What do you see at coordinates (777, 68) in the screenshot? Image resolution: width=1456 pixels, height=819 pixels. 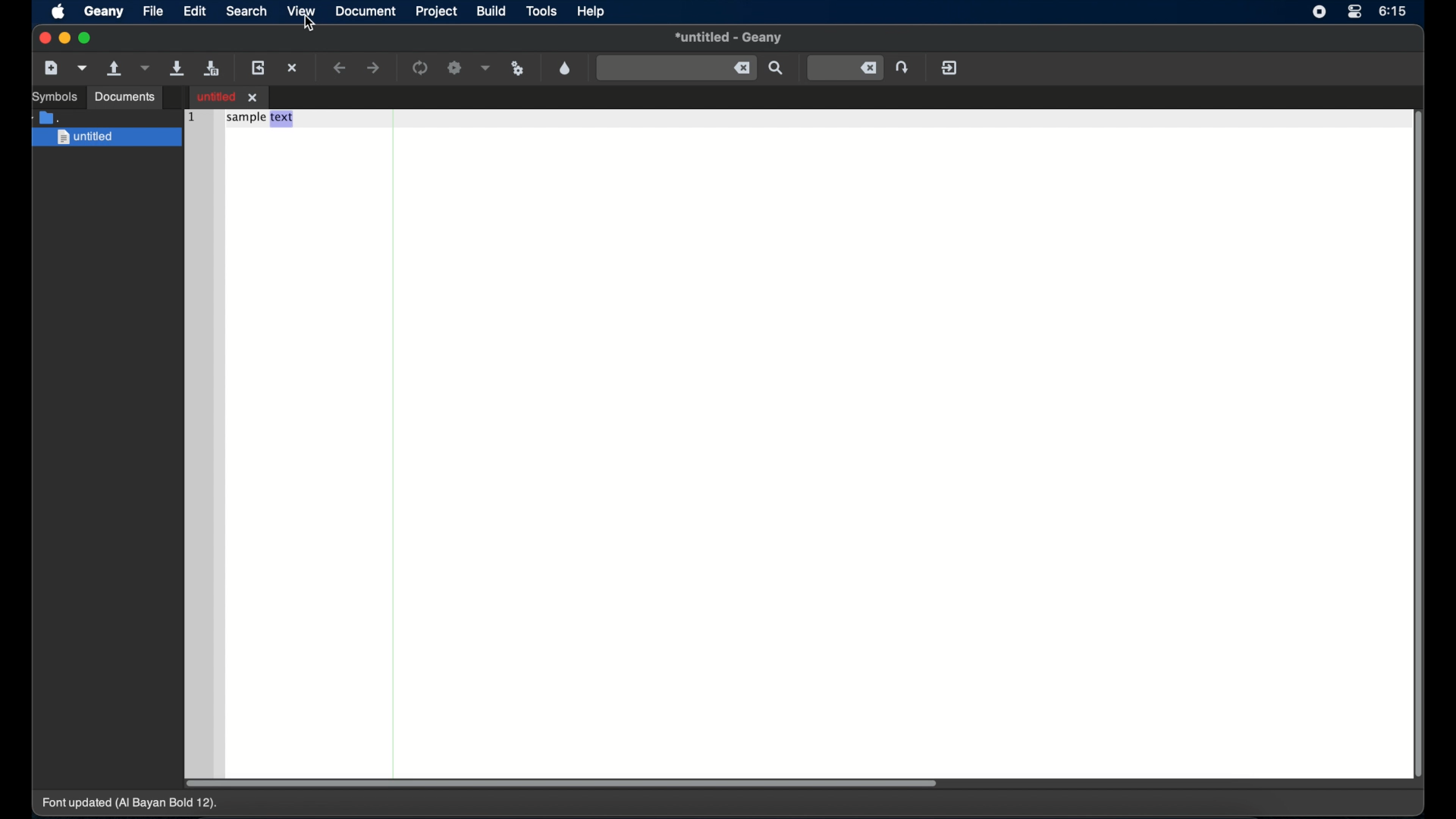 I see `find the entered text in the current file` at bounding box center [777, 68].